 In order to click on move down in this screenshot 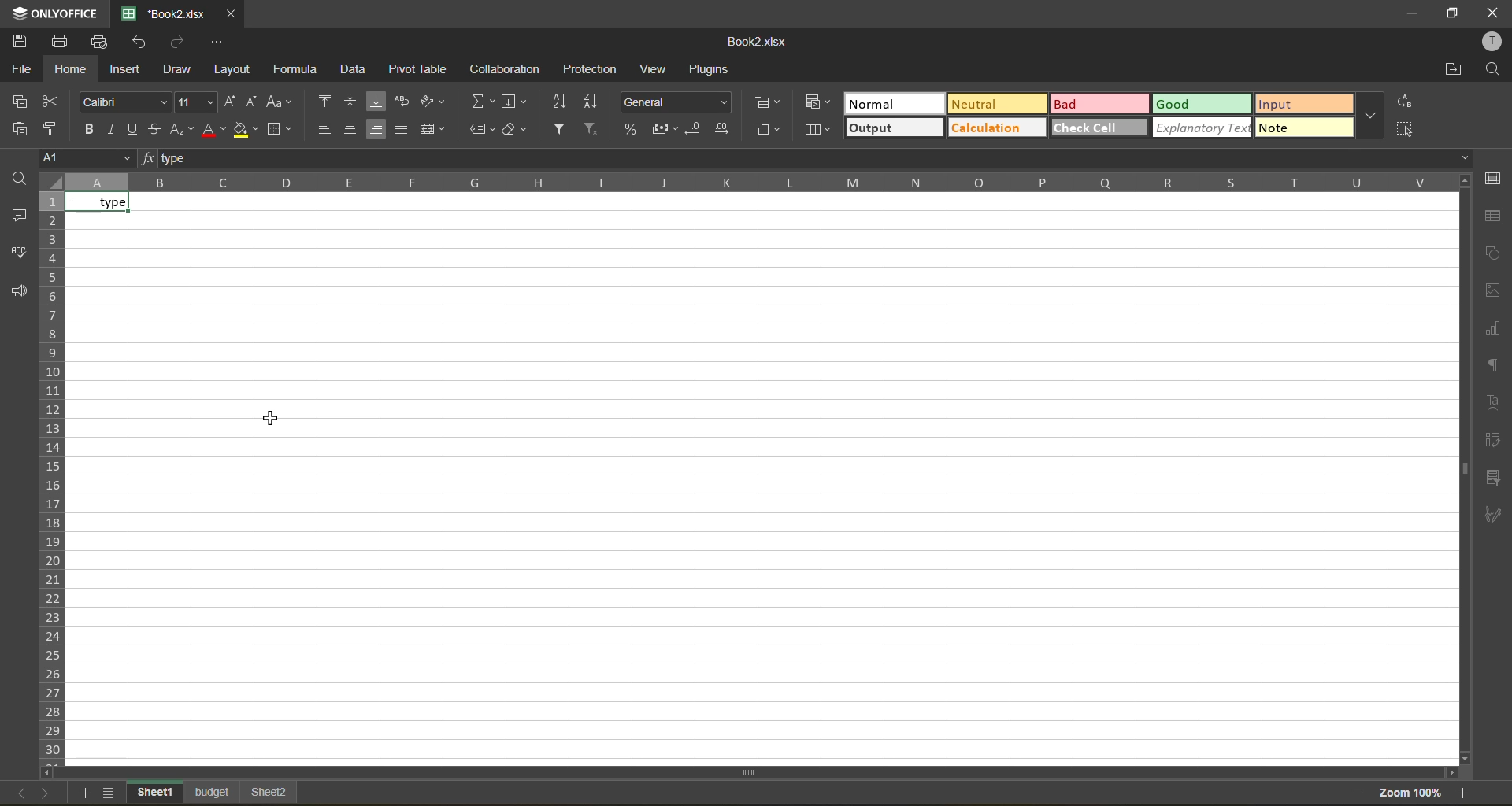, I will do `click(1464, 757)`.